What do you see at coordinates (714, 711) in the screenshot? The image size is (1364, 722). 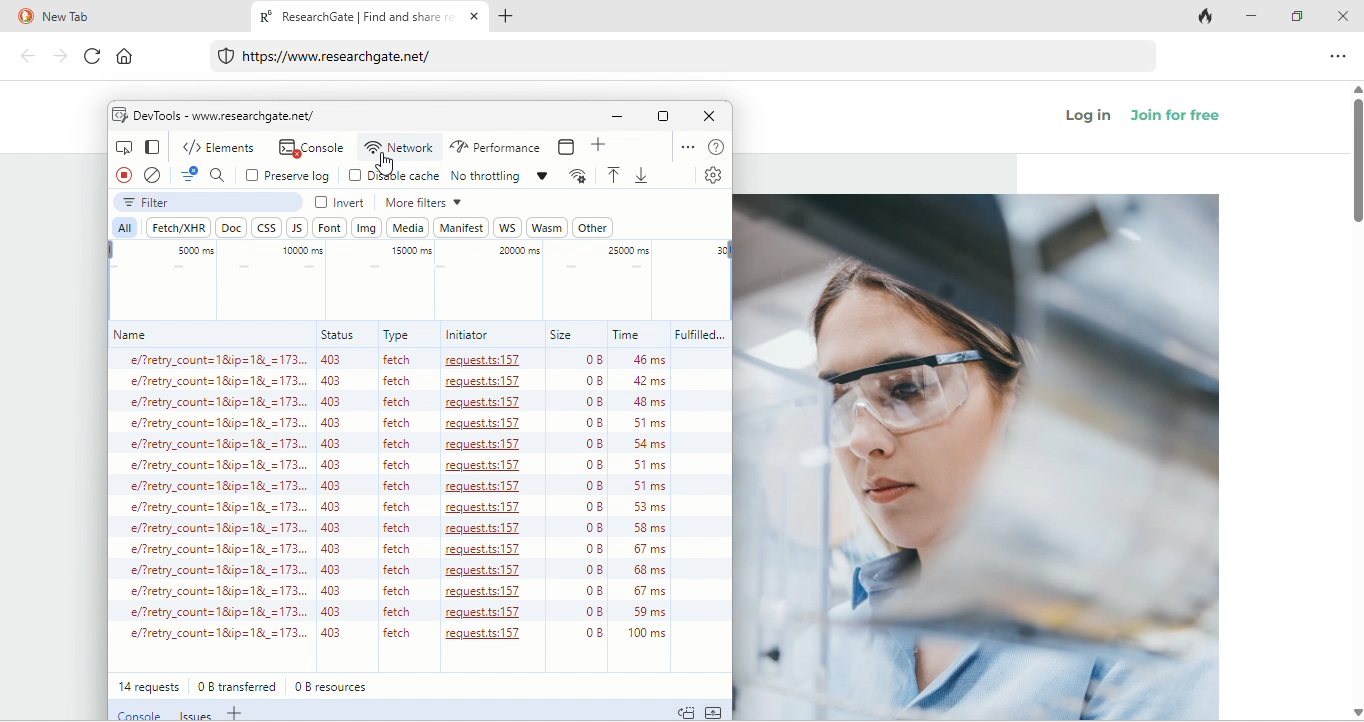 I see `expand` at bounding box center [714, 711].